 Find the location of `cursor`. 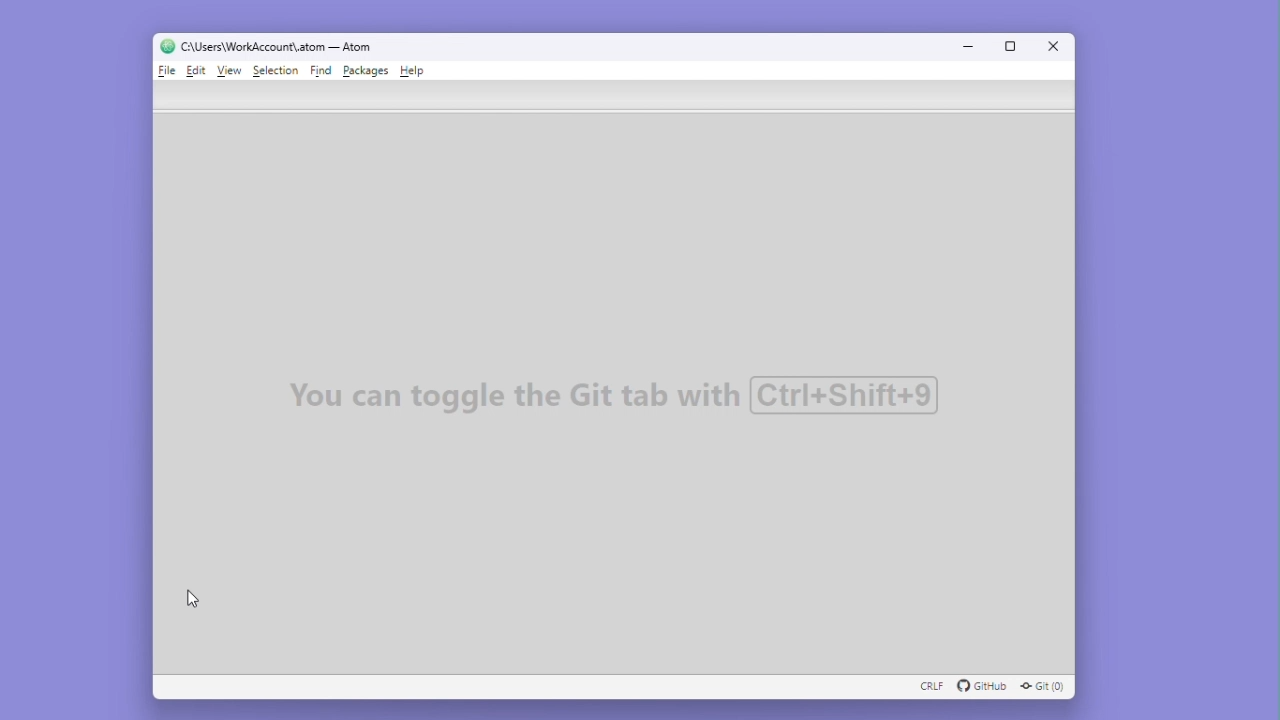

cursor is located at coordinates (191, 599).